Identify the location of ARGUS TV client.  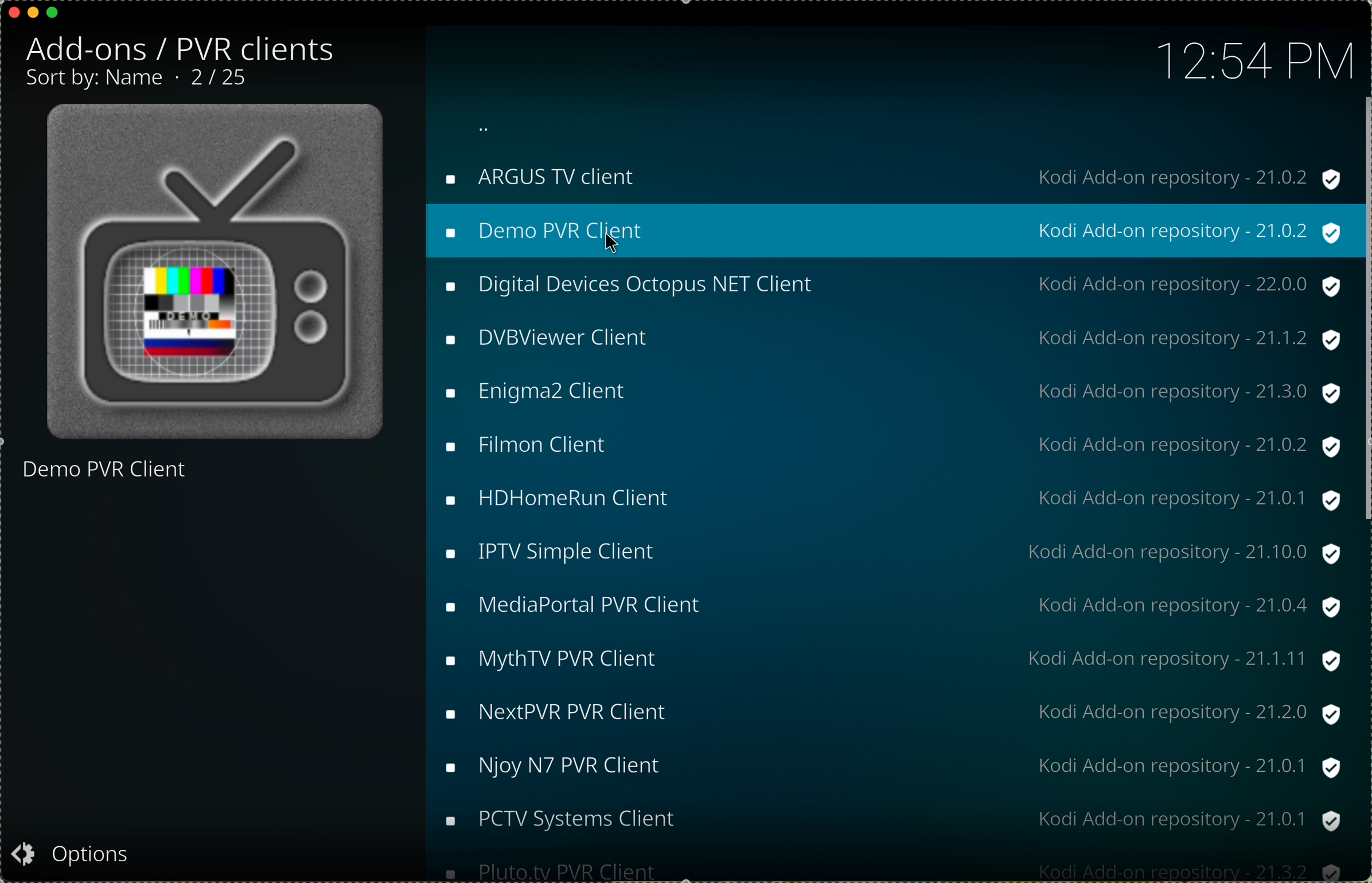
(557, 181).